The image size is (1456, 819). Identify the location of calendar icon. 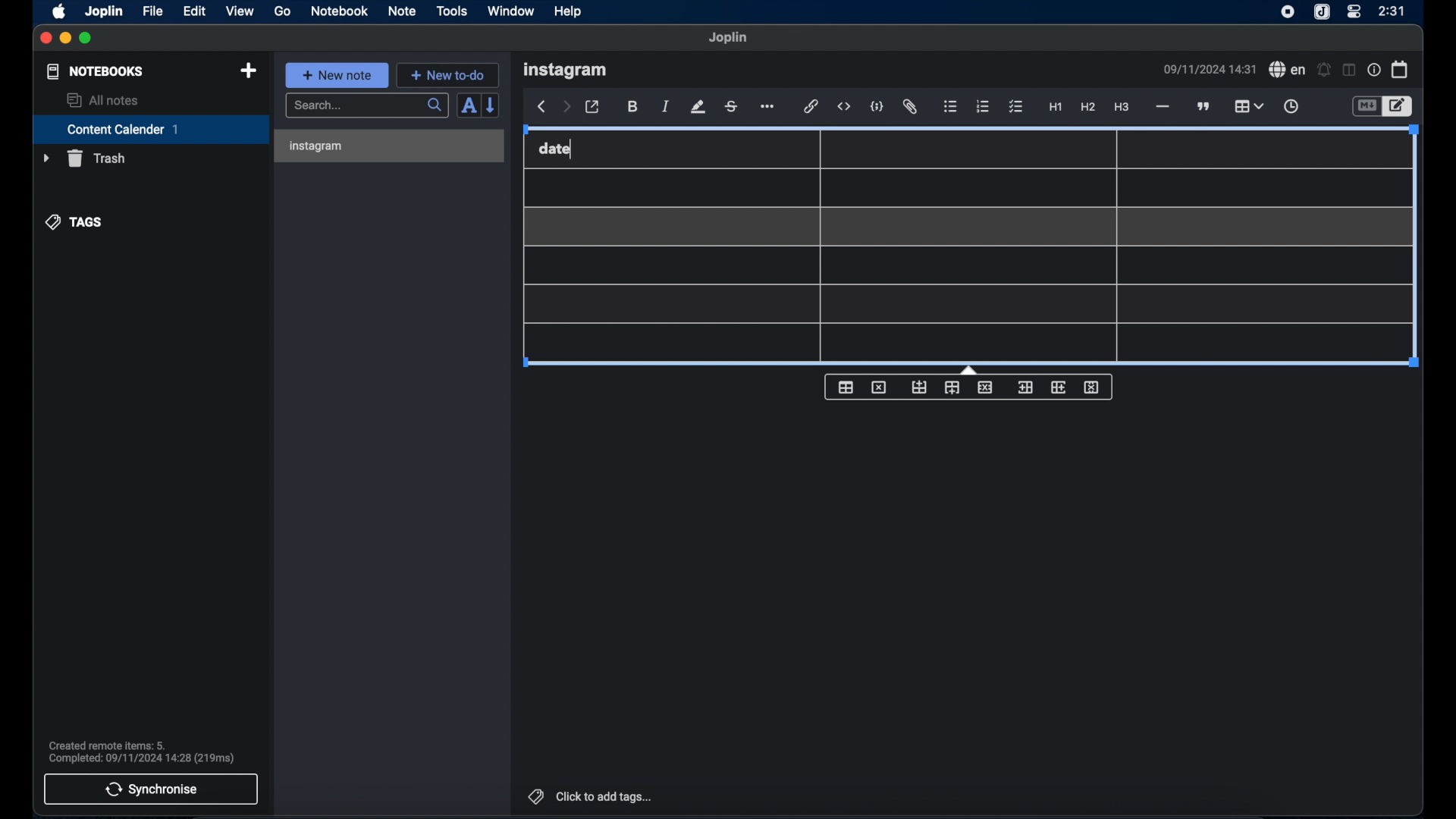
(1401, 70).